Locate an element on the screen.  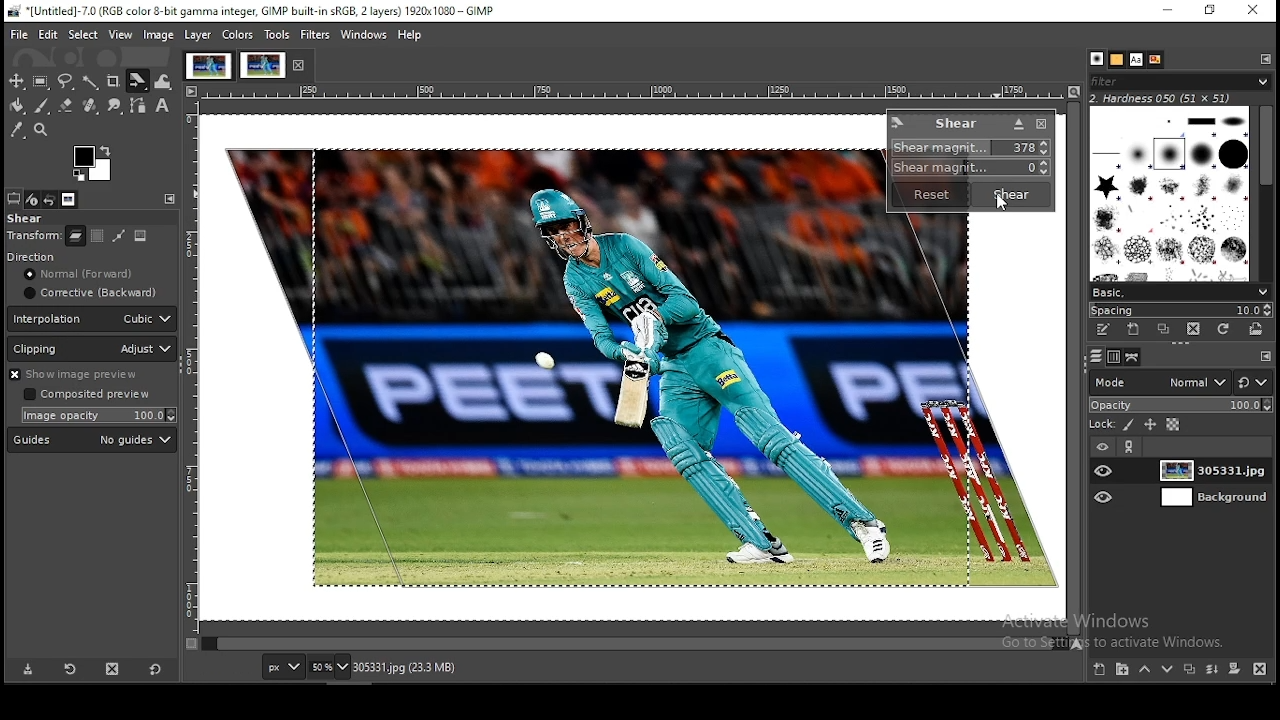
move layer one step down is located at coordinates (1169, 670).